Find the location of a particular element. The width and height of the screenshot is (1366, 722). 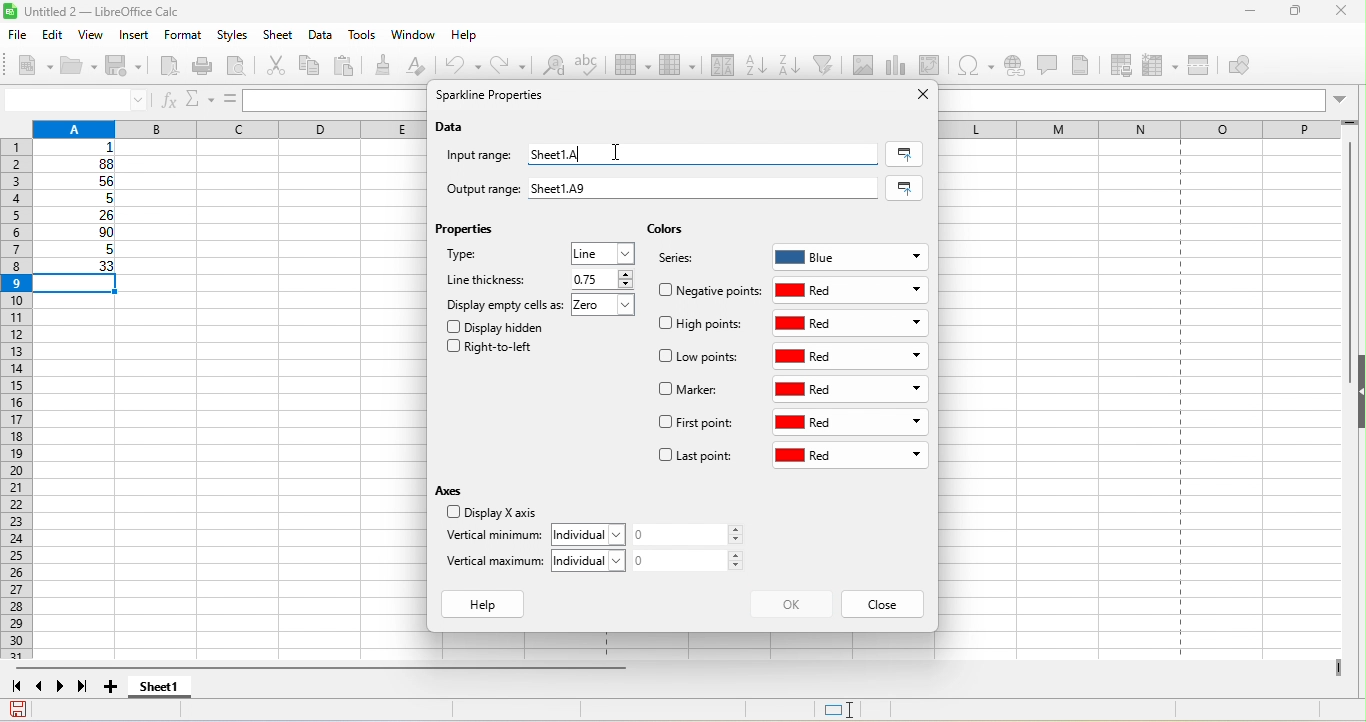

add sheet is located at coordinates (113, 687).